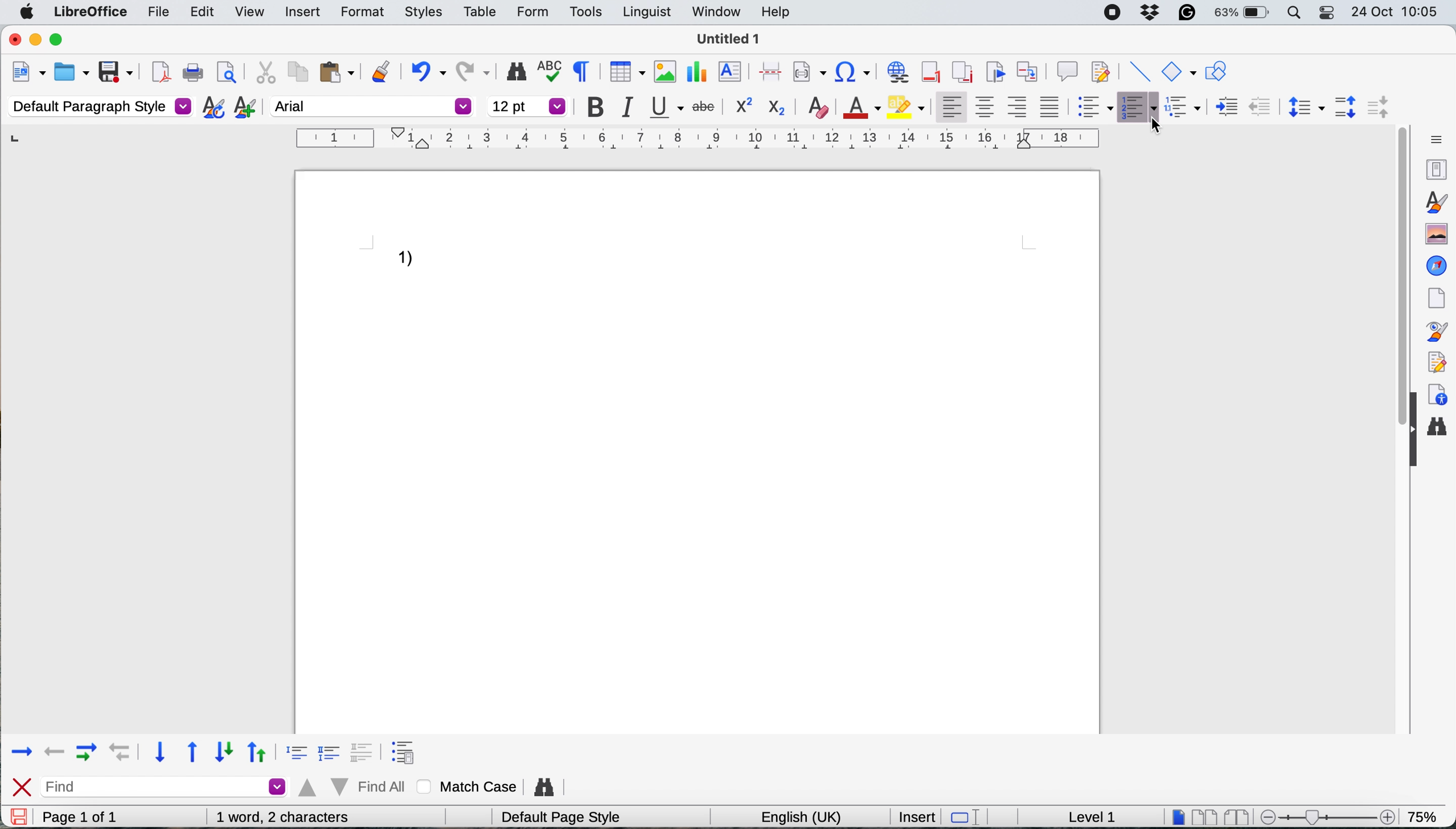  What do you see at coordinates (809, 73) in the screenshot?
I see `insert field` at bounding box center [809, 73].